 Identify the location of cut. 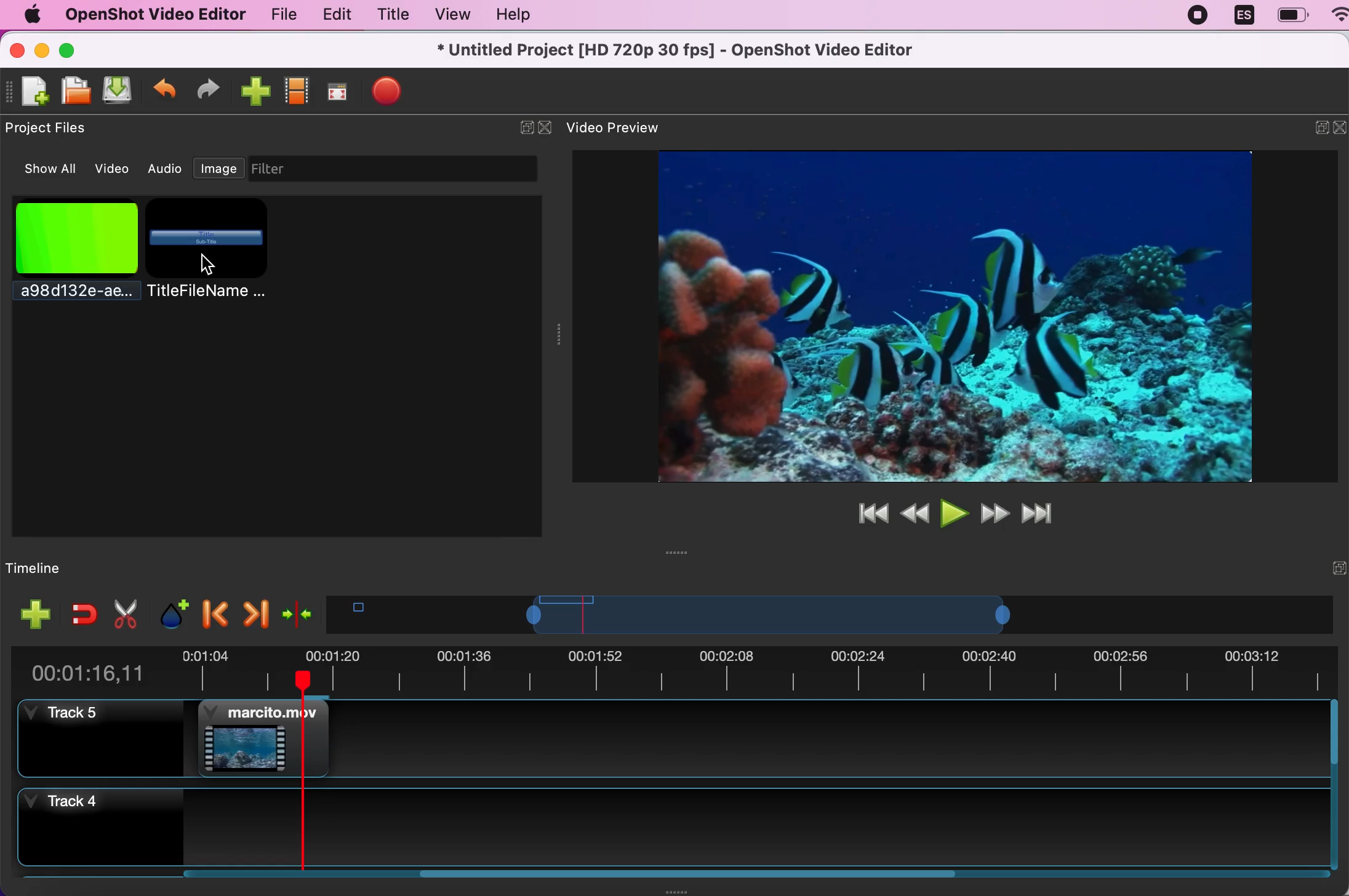
(124, 614).